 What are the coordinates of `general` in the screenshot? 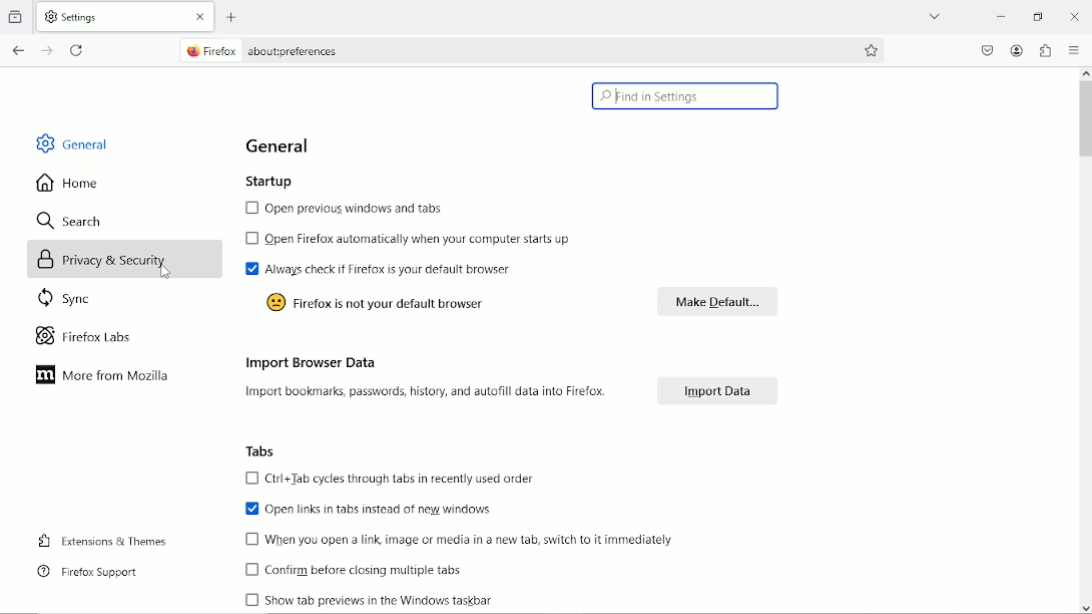 It's located at (68, 142).